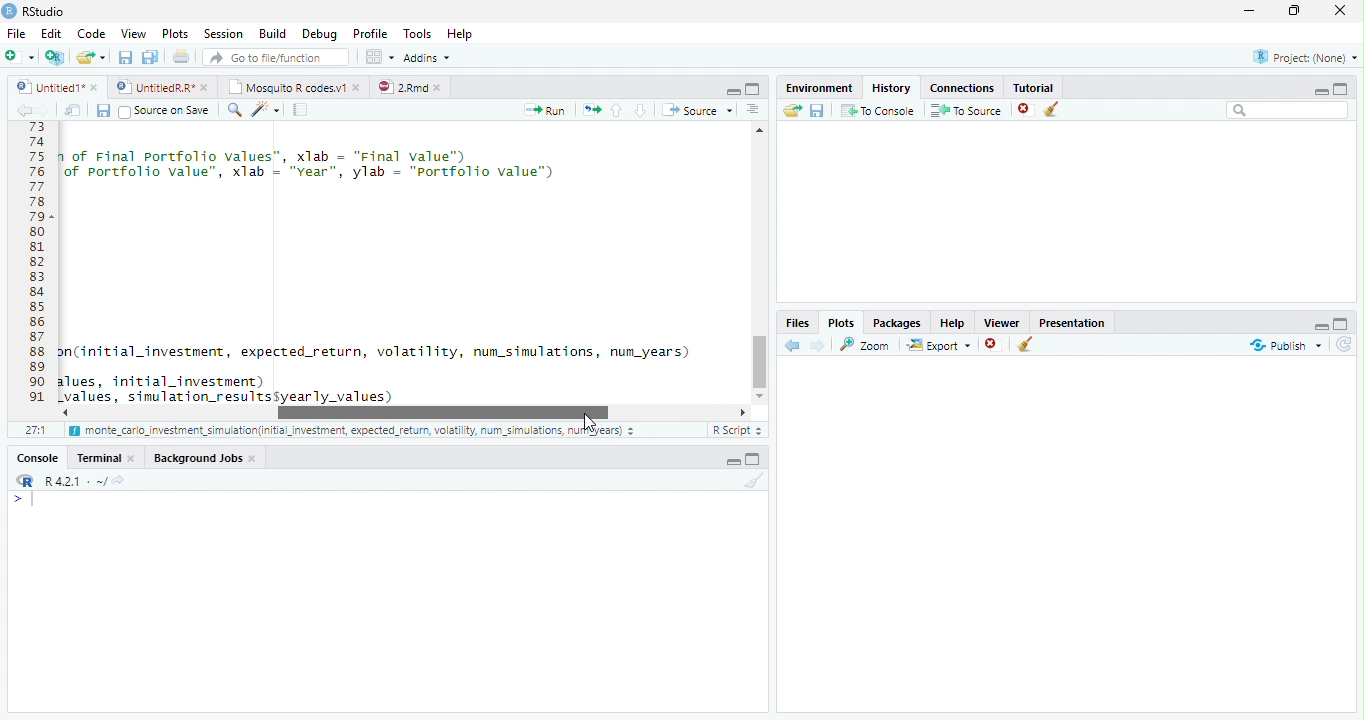 Image resolution: width=1364 pixels, height=720 pixels. What do you see at coordinates (273, 34) in the screenshot?
I see `Build` at bounding box center [273, 34].